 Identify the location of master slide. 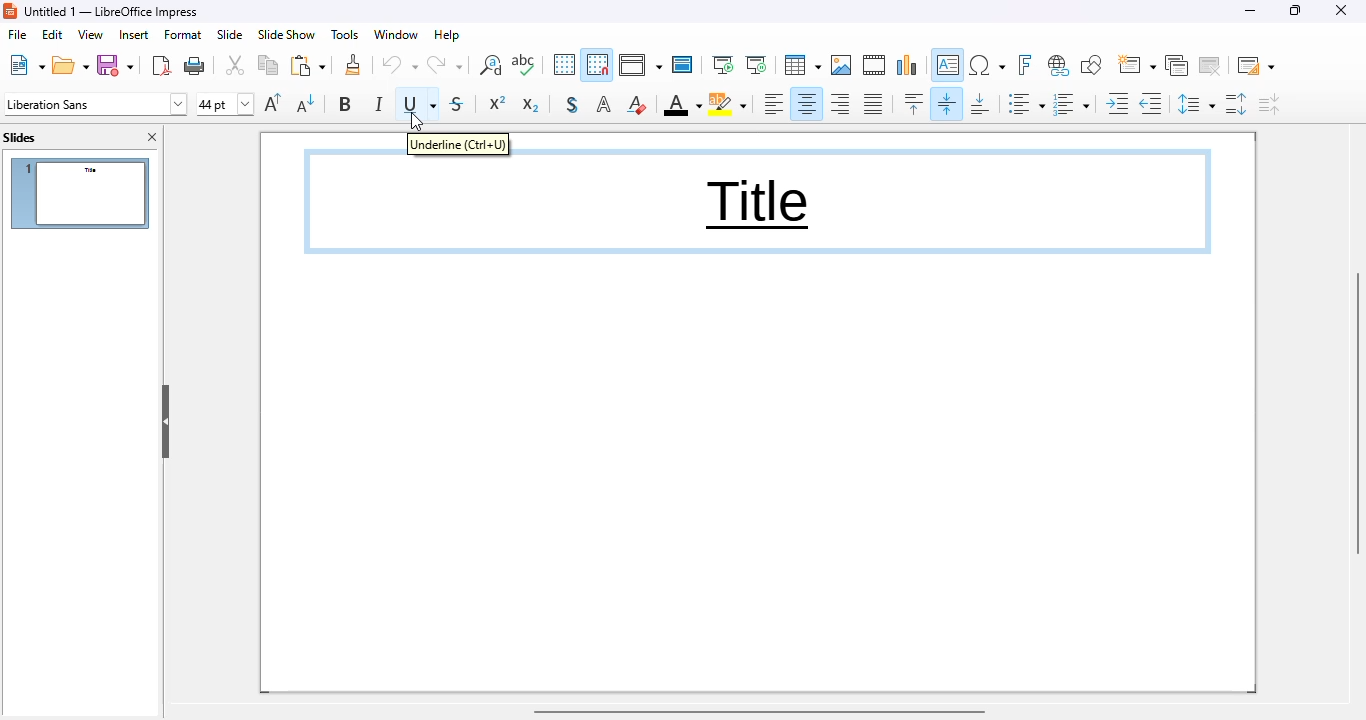
(684, 65).